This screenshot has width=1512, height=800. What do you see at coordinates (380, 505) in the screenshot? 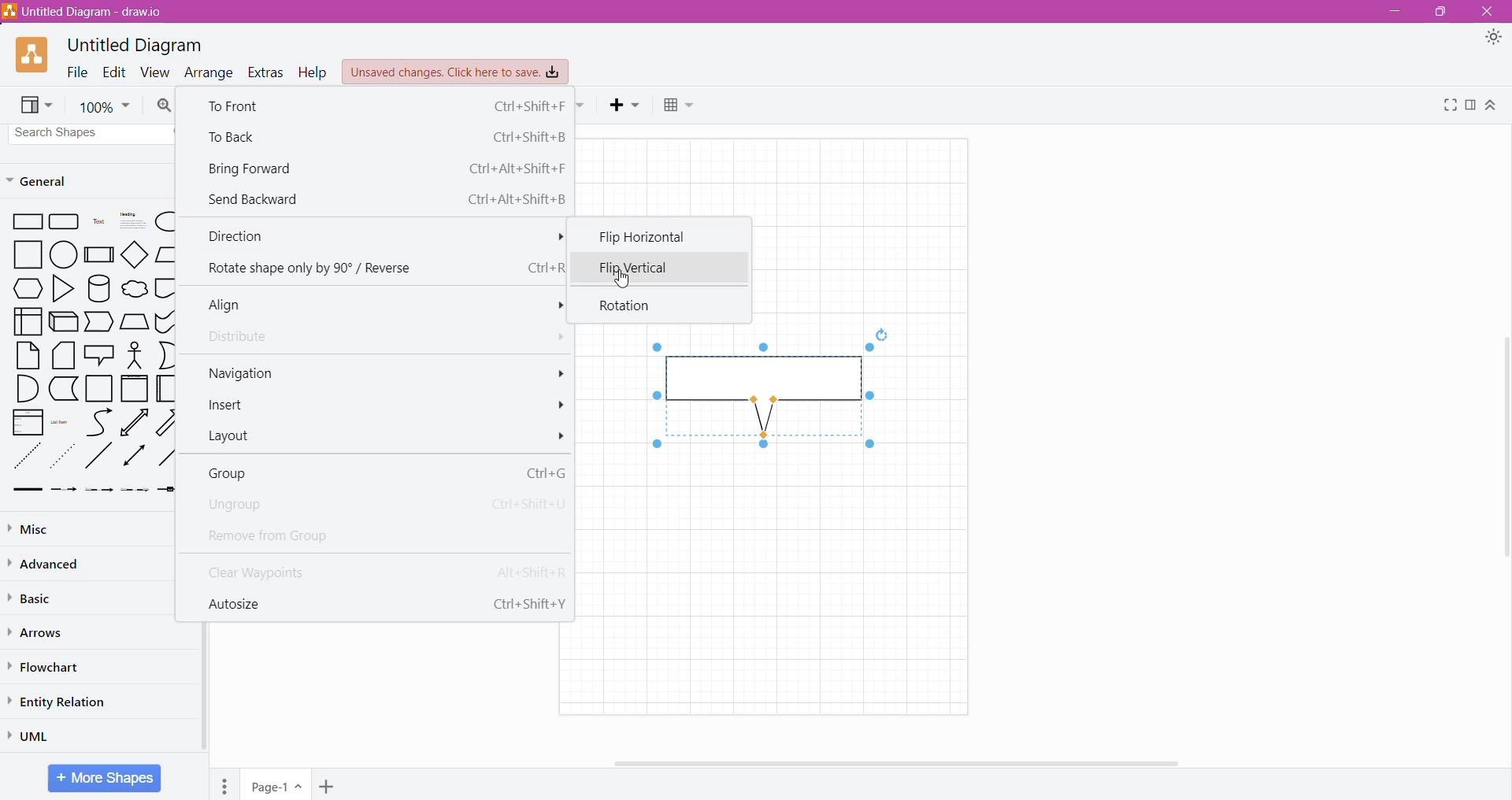
I see `Ungroup` at bounding box center [380, 505].